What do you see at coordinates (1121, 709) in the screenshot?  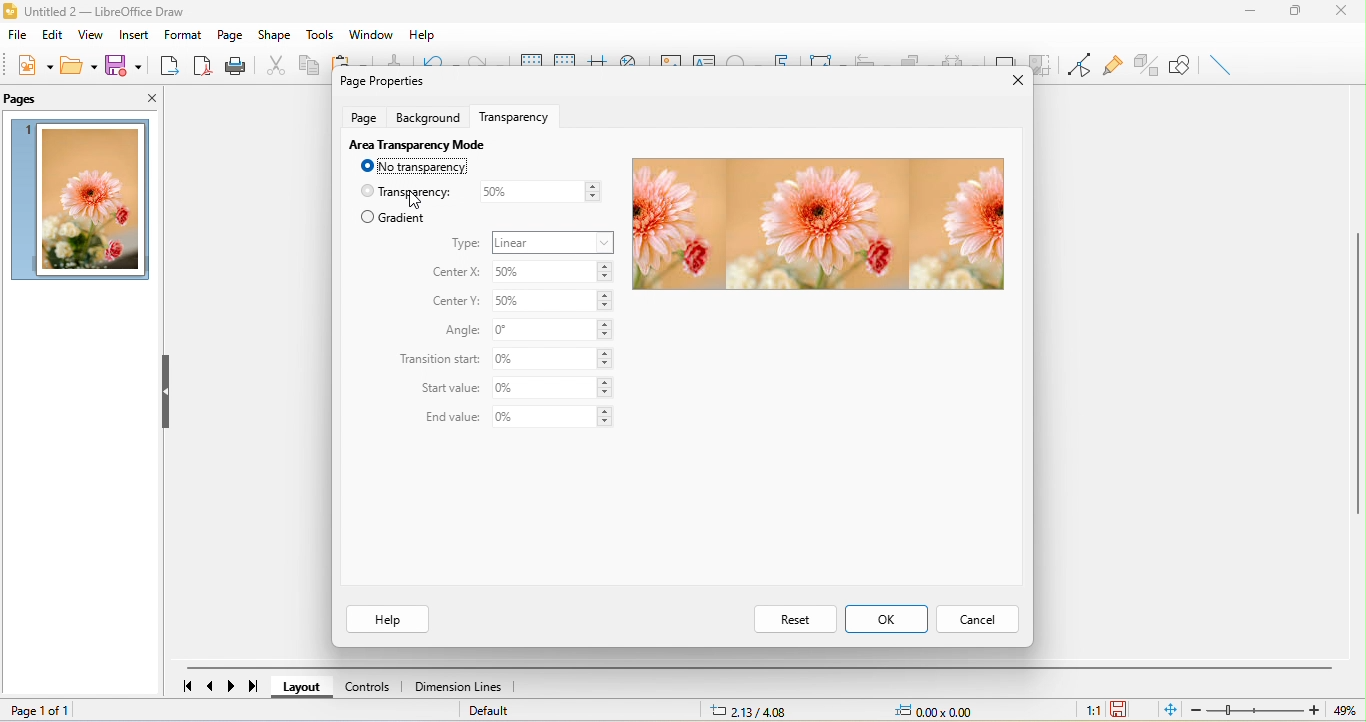 I see `the document has not been modified since the last save` at bounding box center [1121, 709].